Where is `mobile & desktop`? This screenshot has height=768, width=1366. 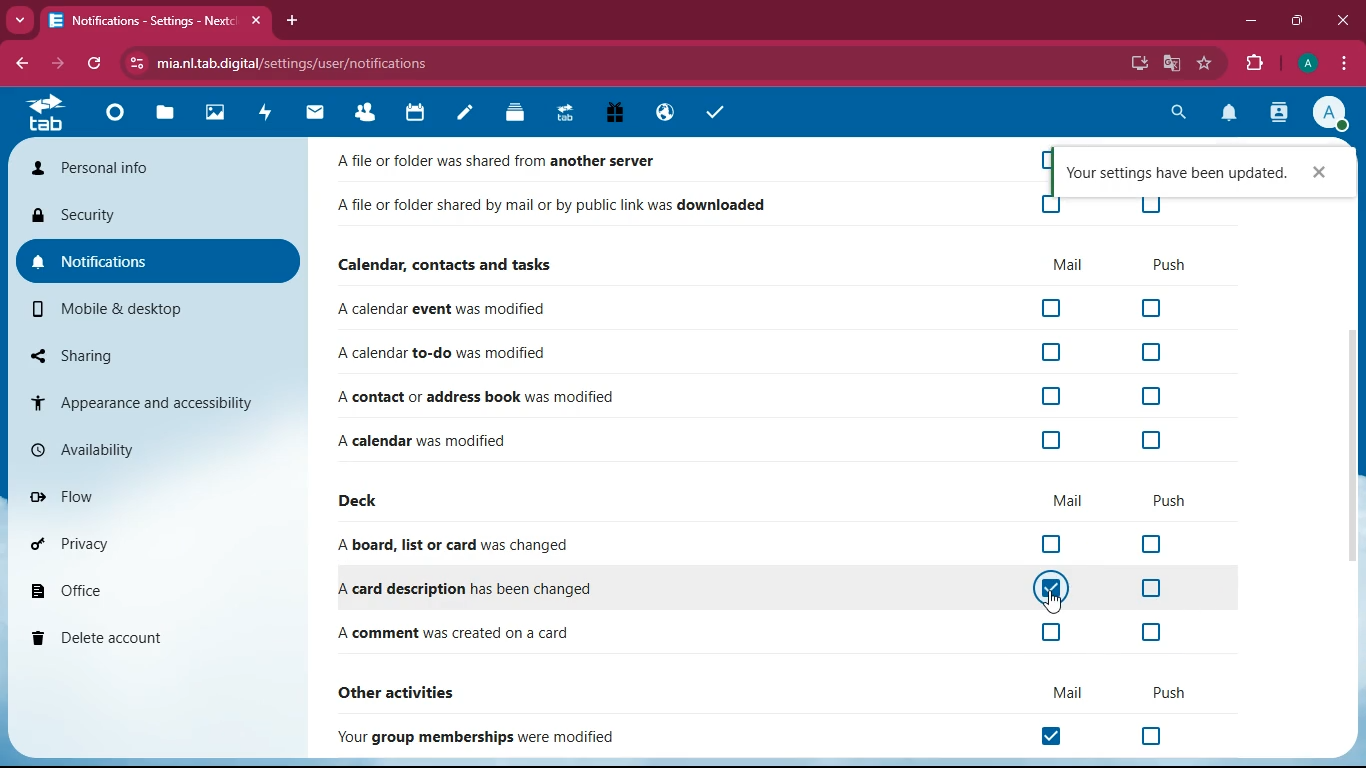 mobile & desktop is located at coordinates (161, 309).